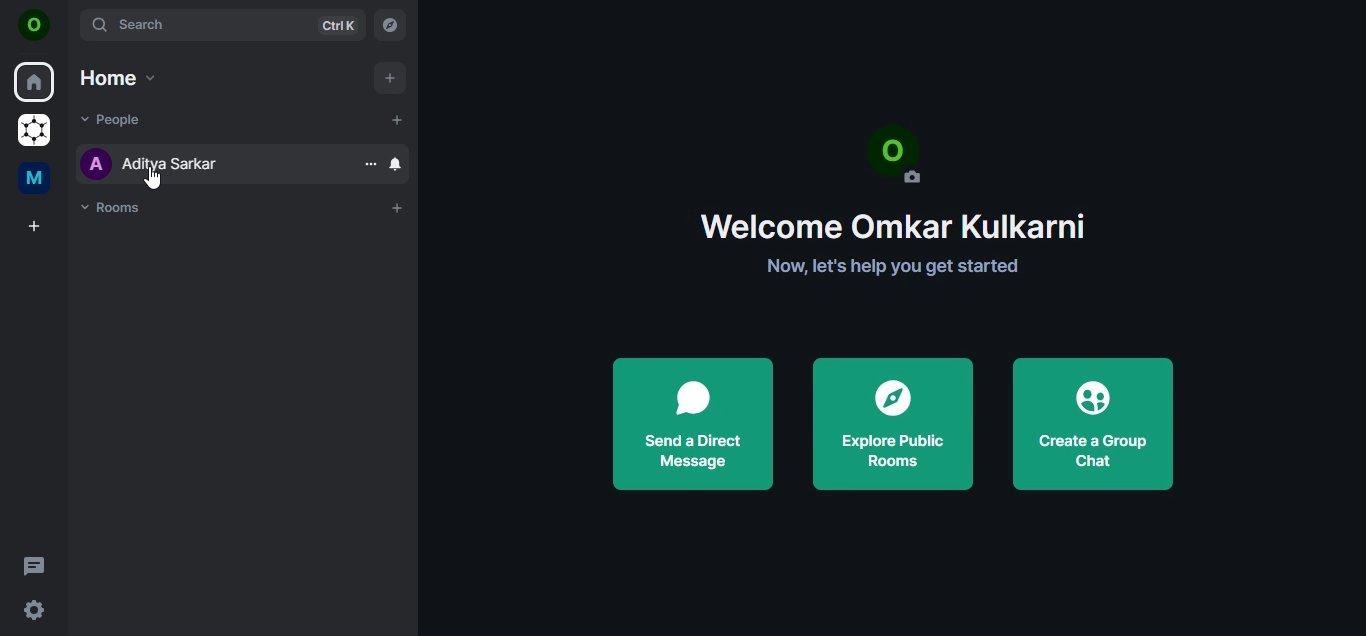 Image resolution: width=1366 pixels, height=636 pixels. What do you see at coordinates (398, 121) in the screenshot?
I see `start a chat` at bounding box center [398, 121].